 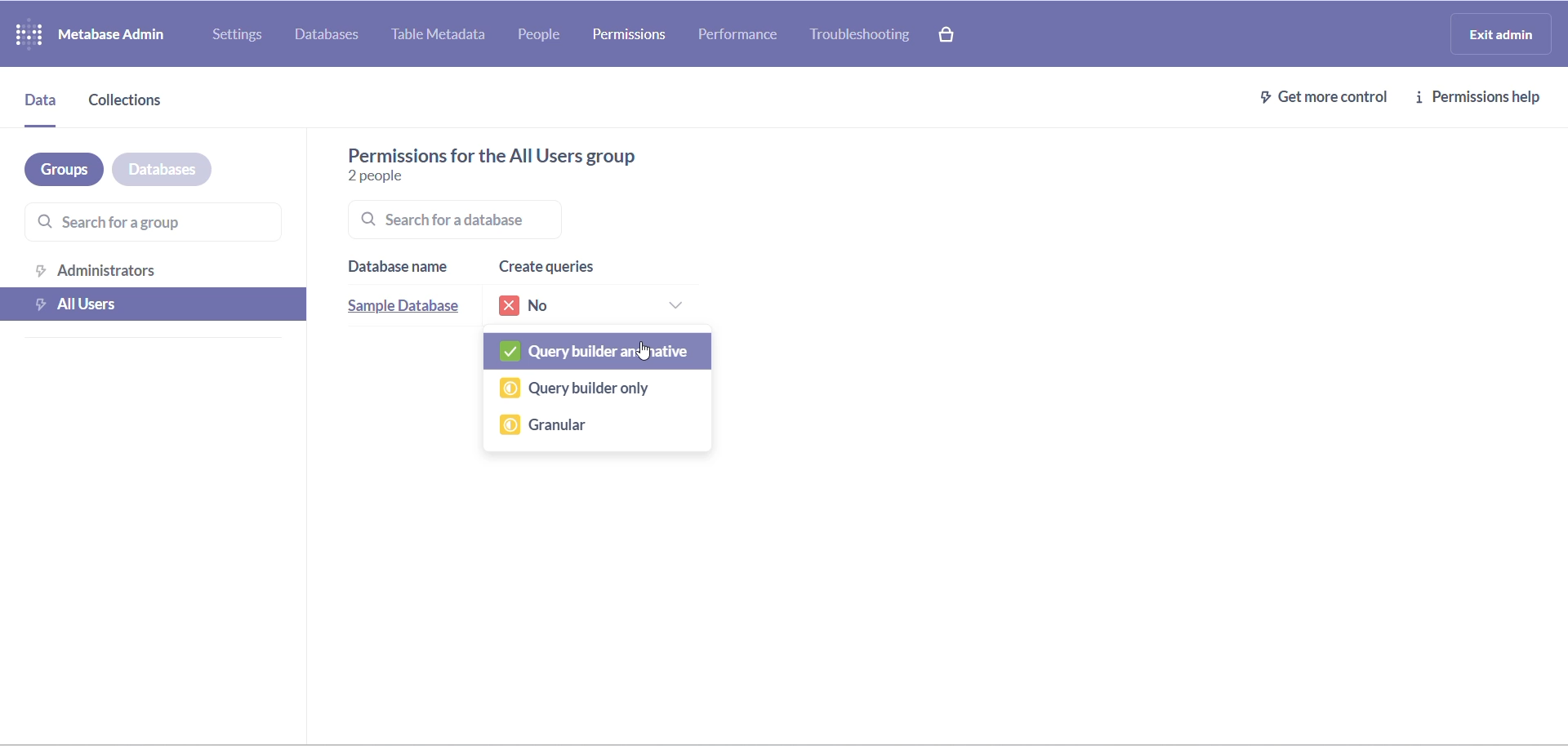 What do you see at coordinates (630, 33) in the screenshot?
I see `permission` at bounding box center [630, 33].